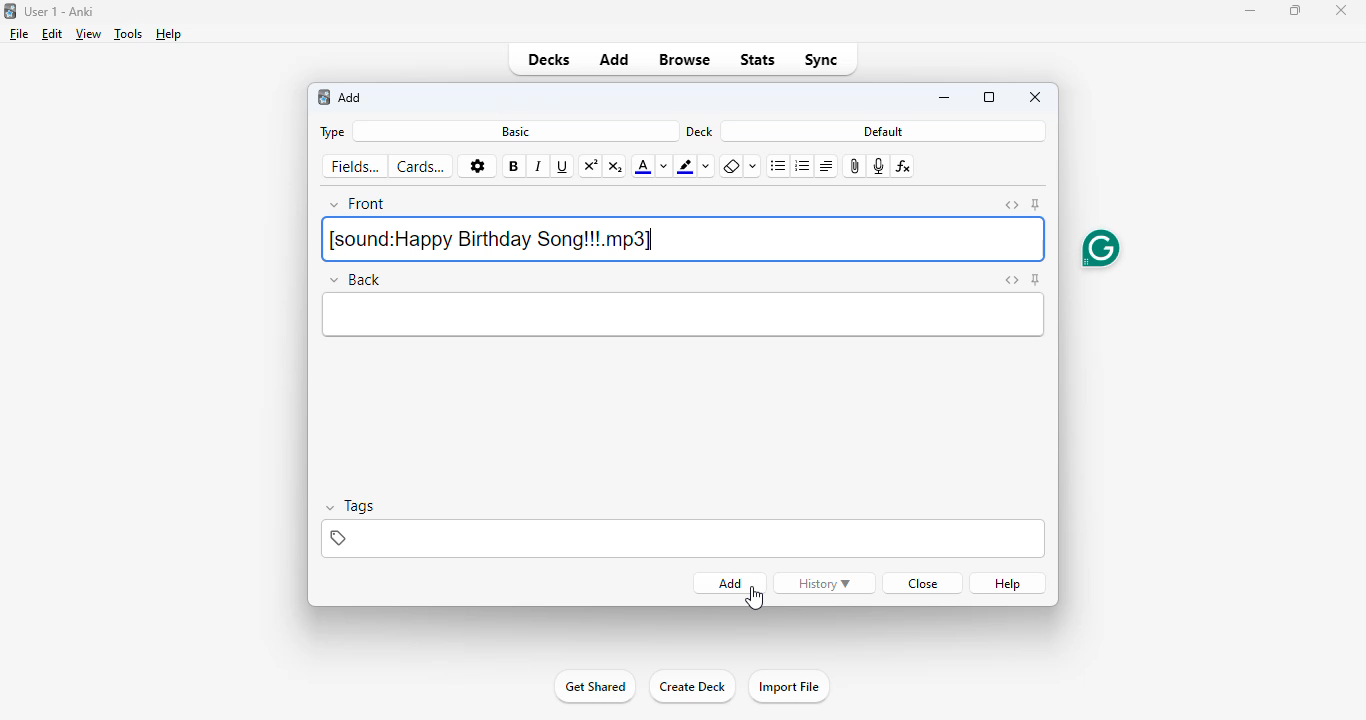  What do you see at coordinates (591, 167) in the screenshot?
I see `superscript` at bounding box center [591, 167].